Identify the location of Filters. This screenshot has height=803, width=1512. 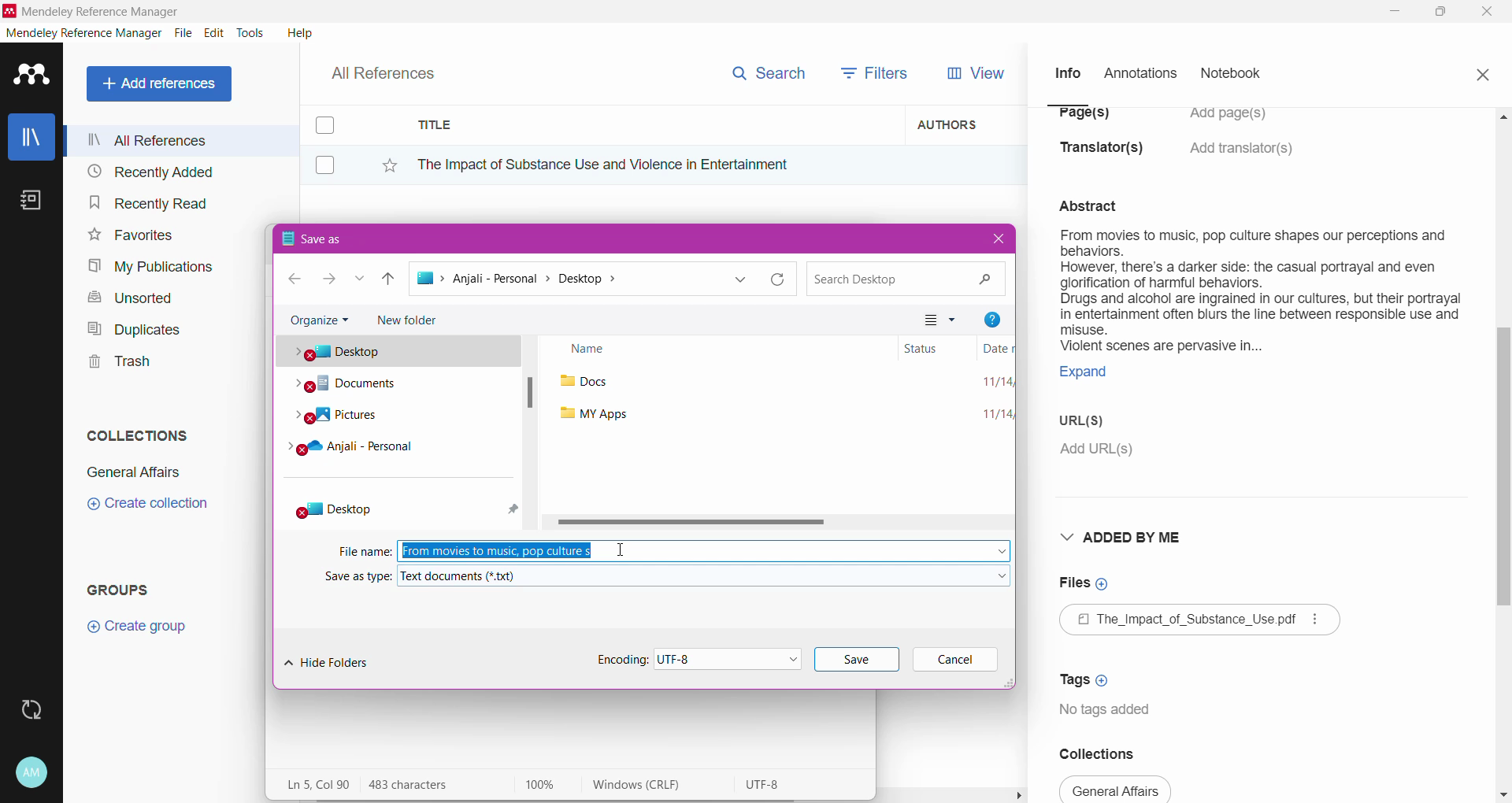
(879, 72).